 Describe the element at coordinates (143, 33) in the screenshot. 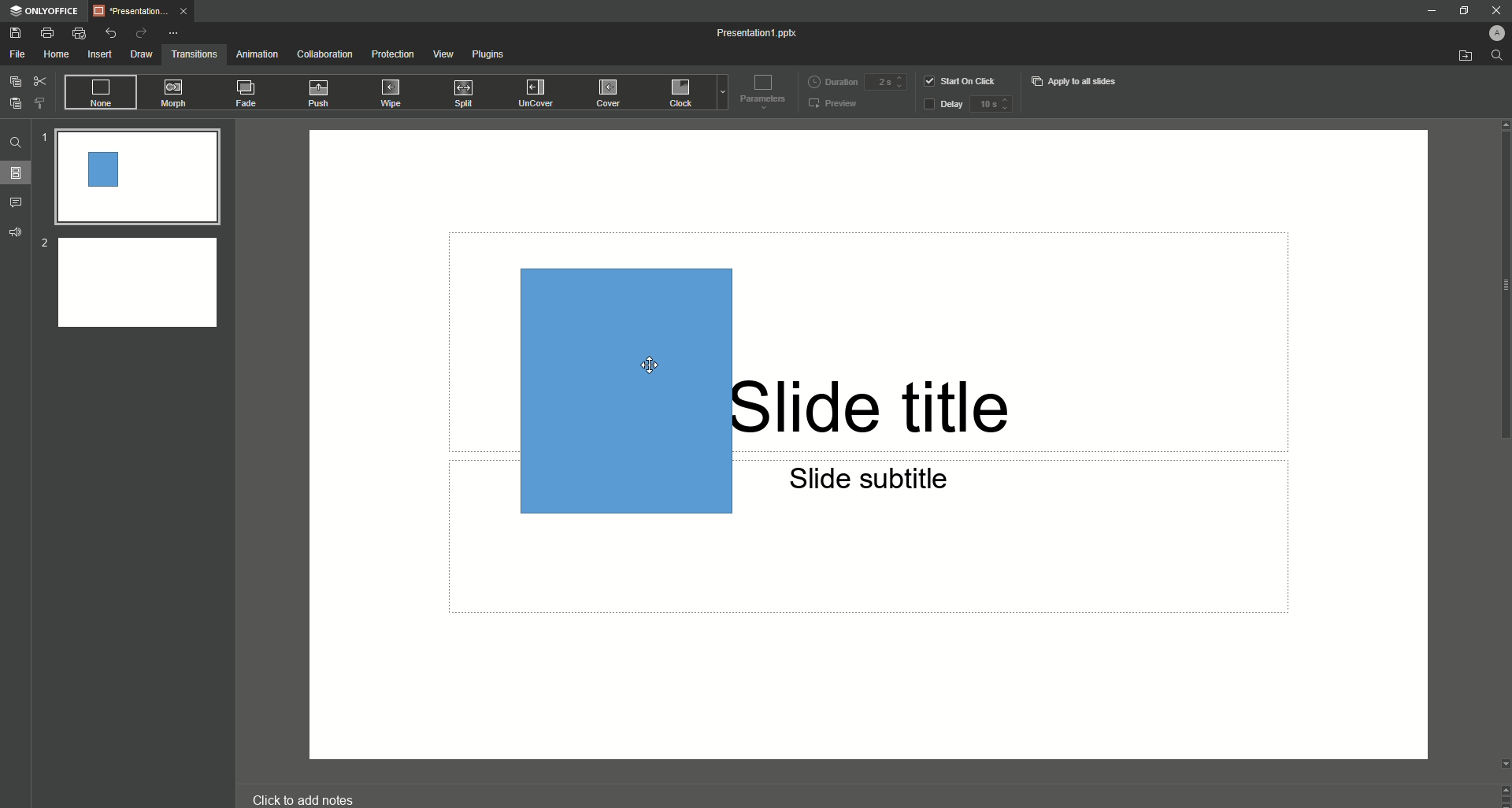

I see `Redo` at that location.